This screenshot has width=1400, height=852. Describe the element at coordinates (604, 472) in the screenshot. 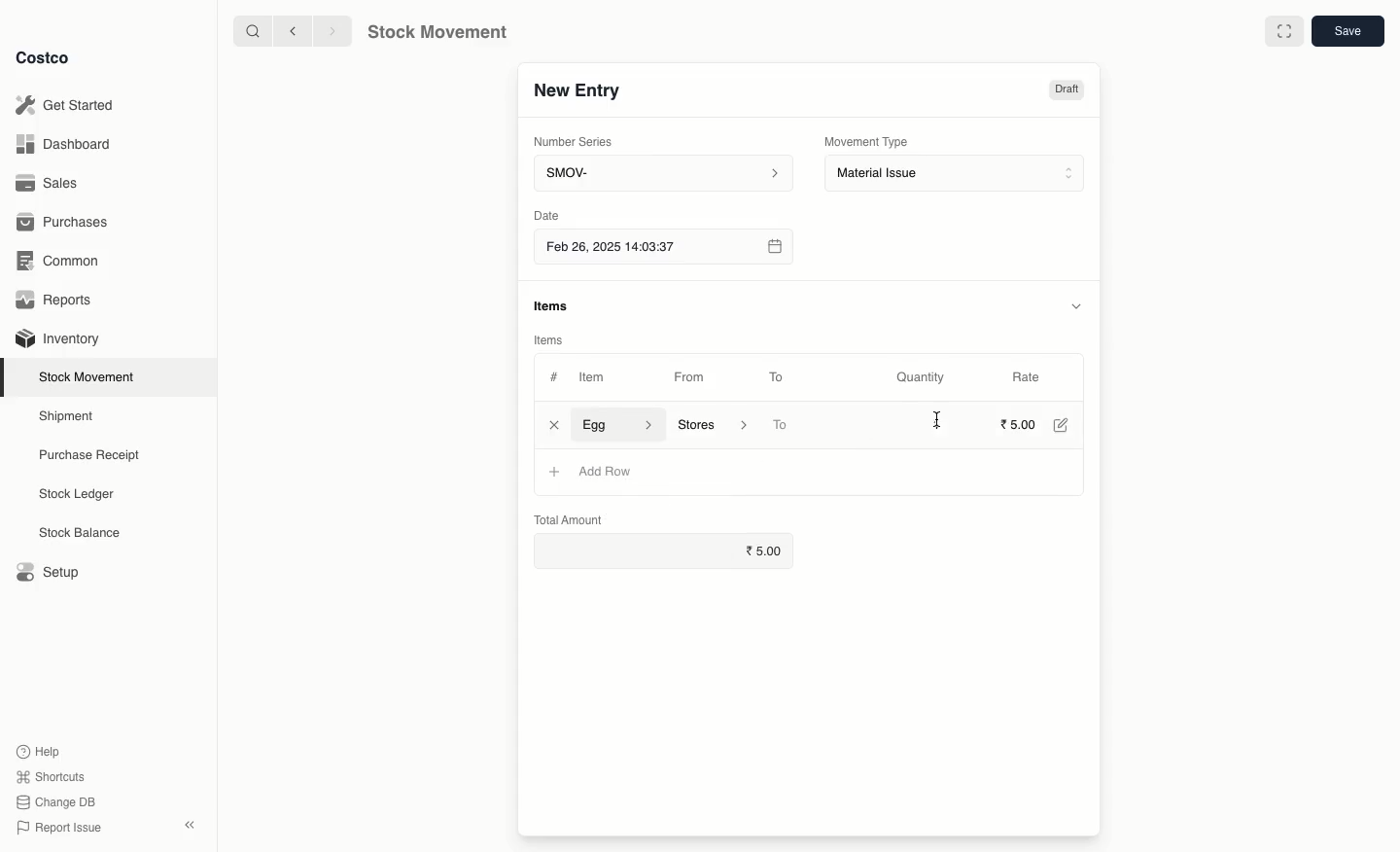

I see `Add row` at that location.